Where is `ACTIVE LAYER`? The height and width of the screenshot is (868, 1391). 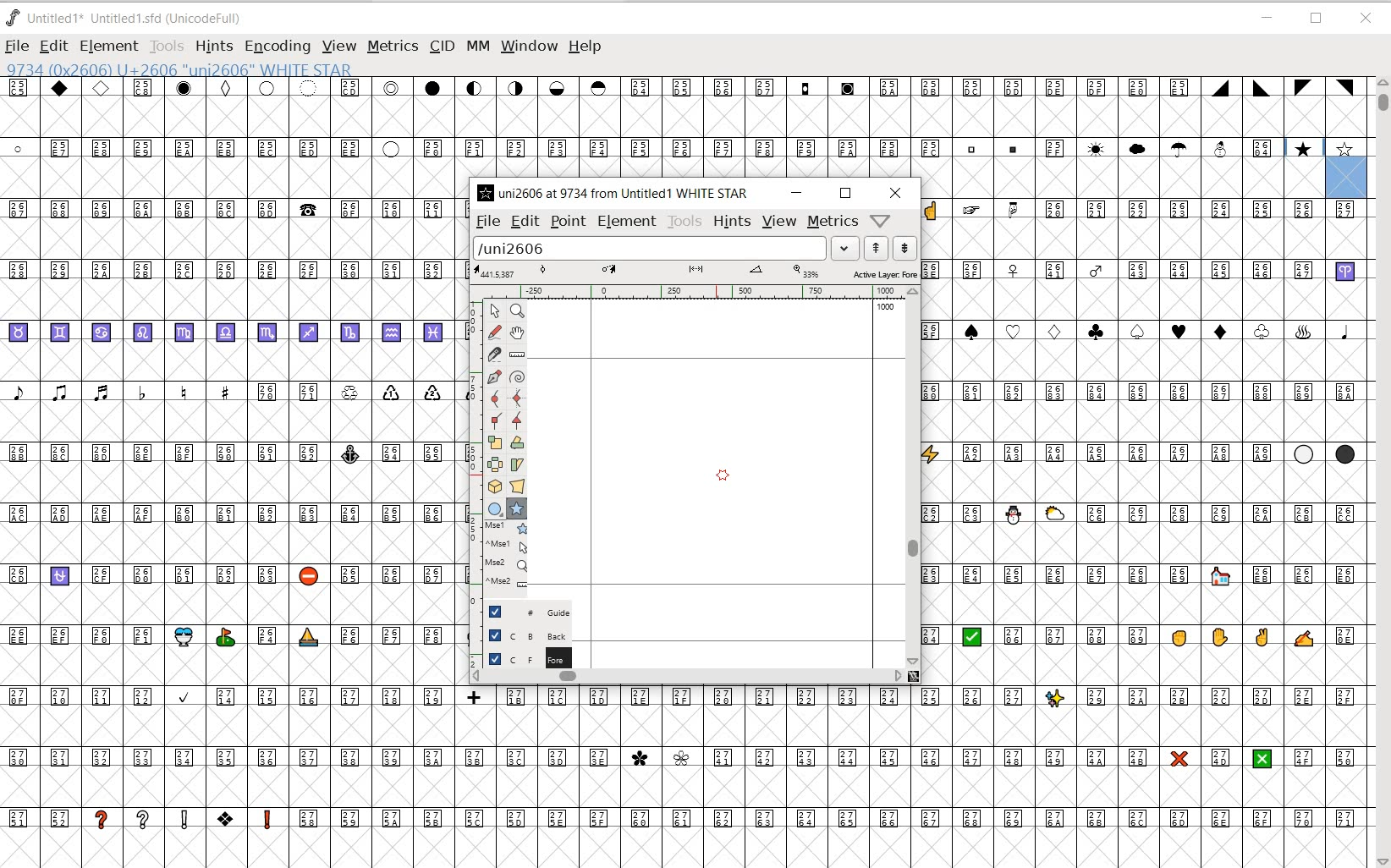
ACTIVE LAYER is located at coordinates (695, 272).